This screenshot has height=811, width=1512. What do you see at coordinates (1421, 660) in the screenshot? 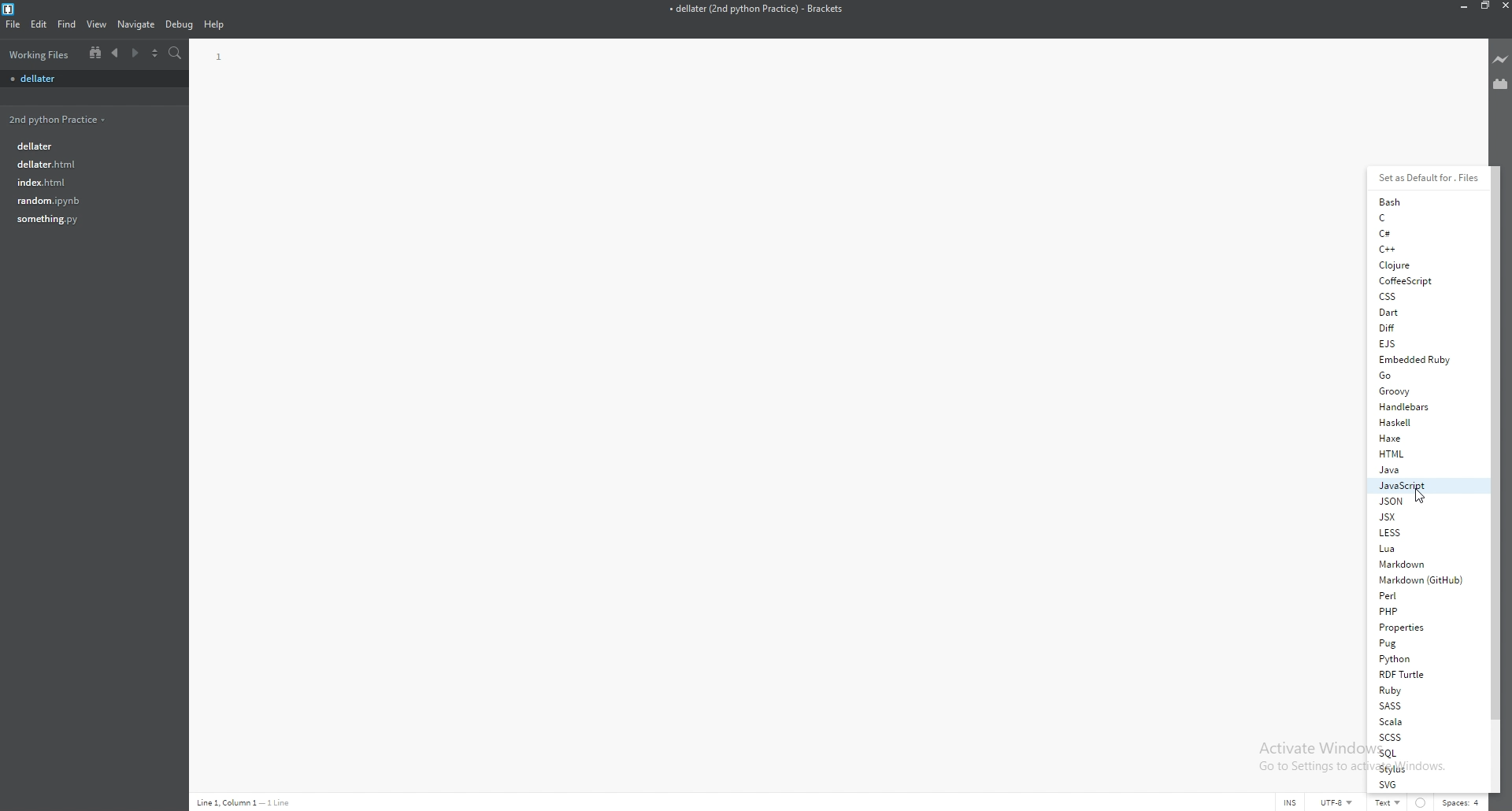
I see `python` at bounding box center [1421, 660].